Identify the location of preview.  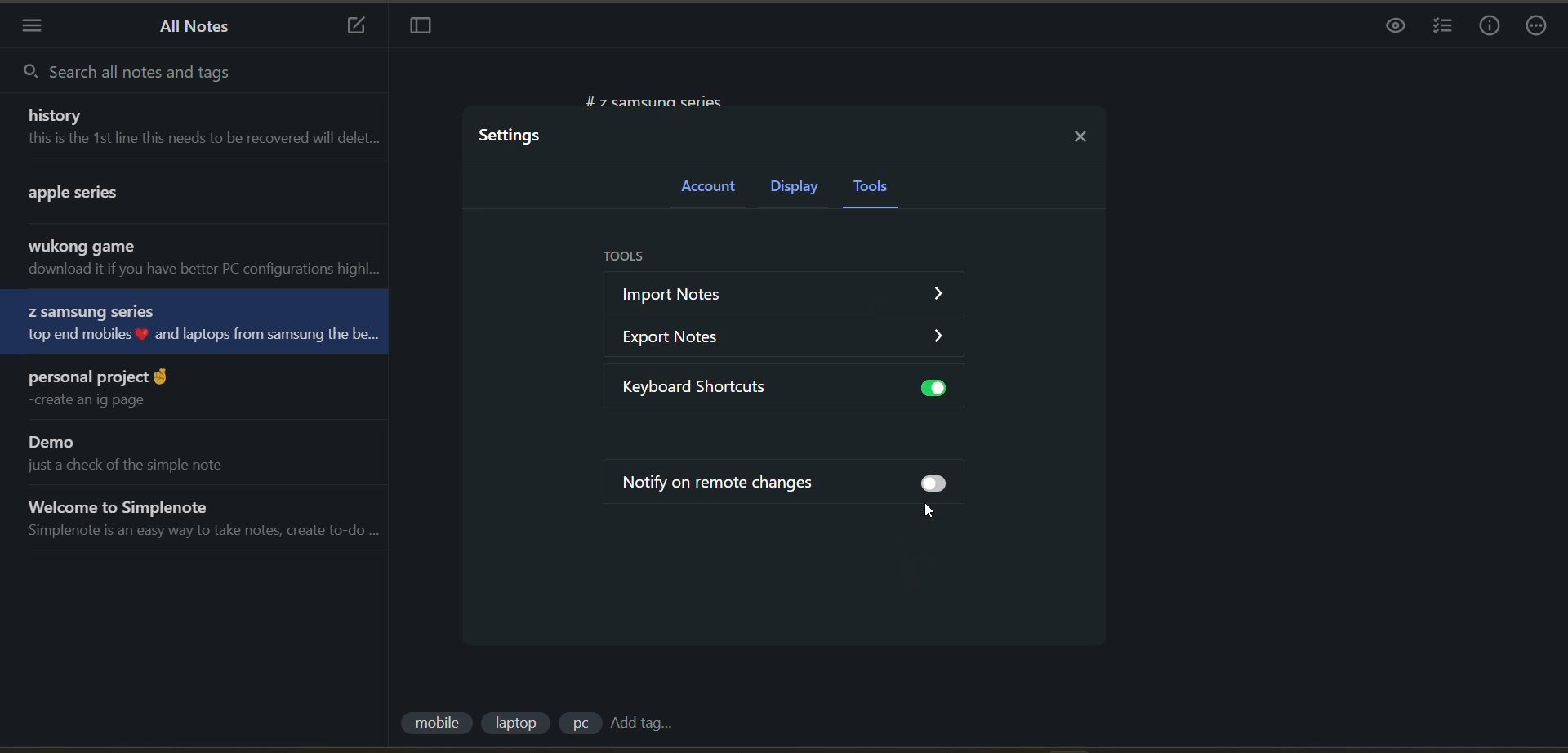
(1391, 29).